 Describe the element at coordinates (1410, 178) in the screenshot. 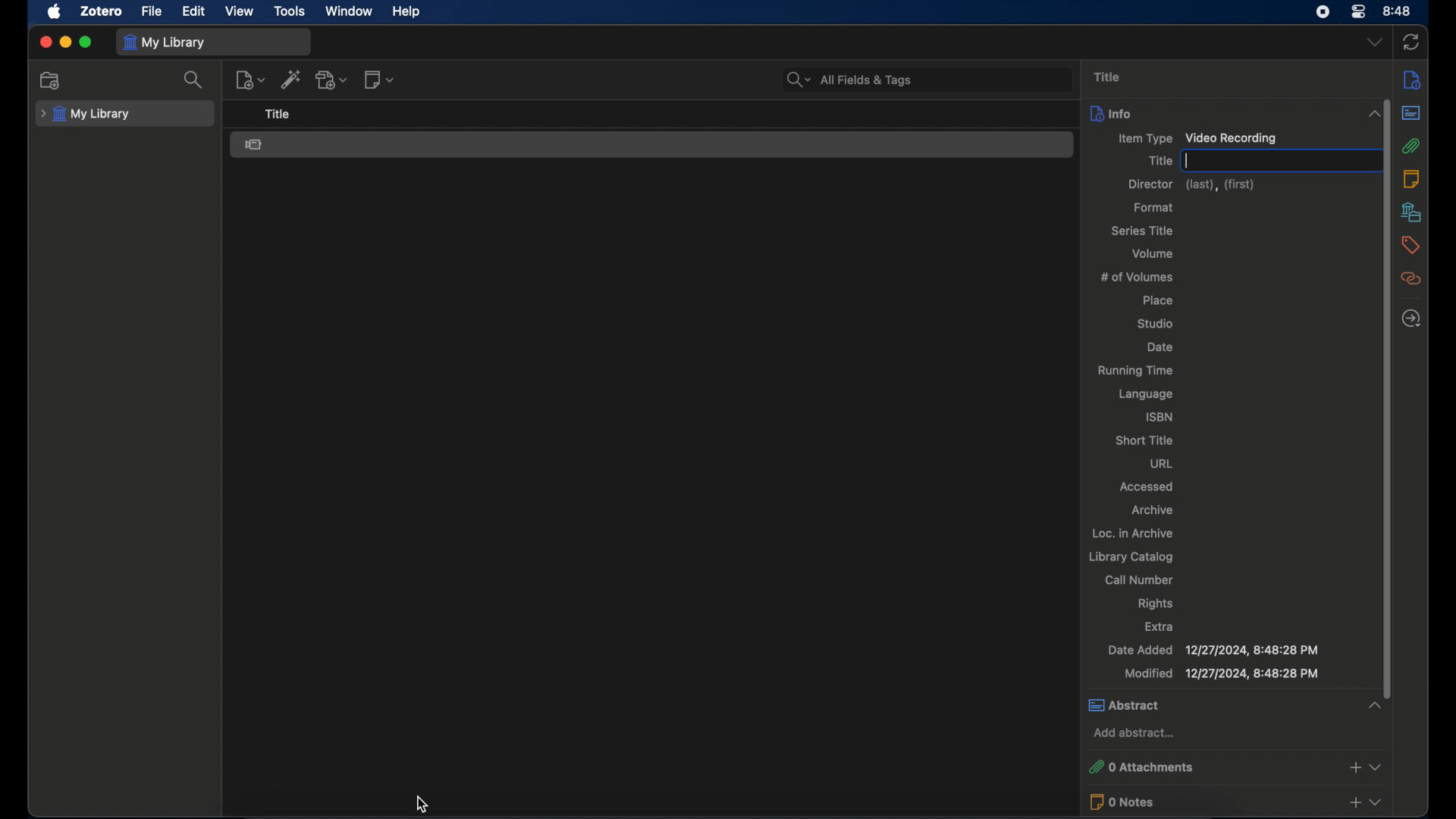

I see `notes` at that location.